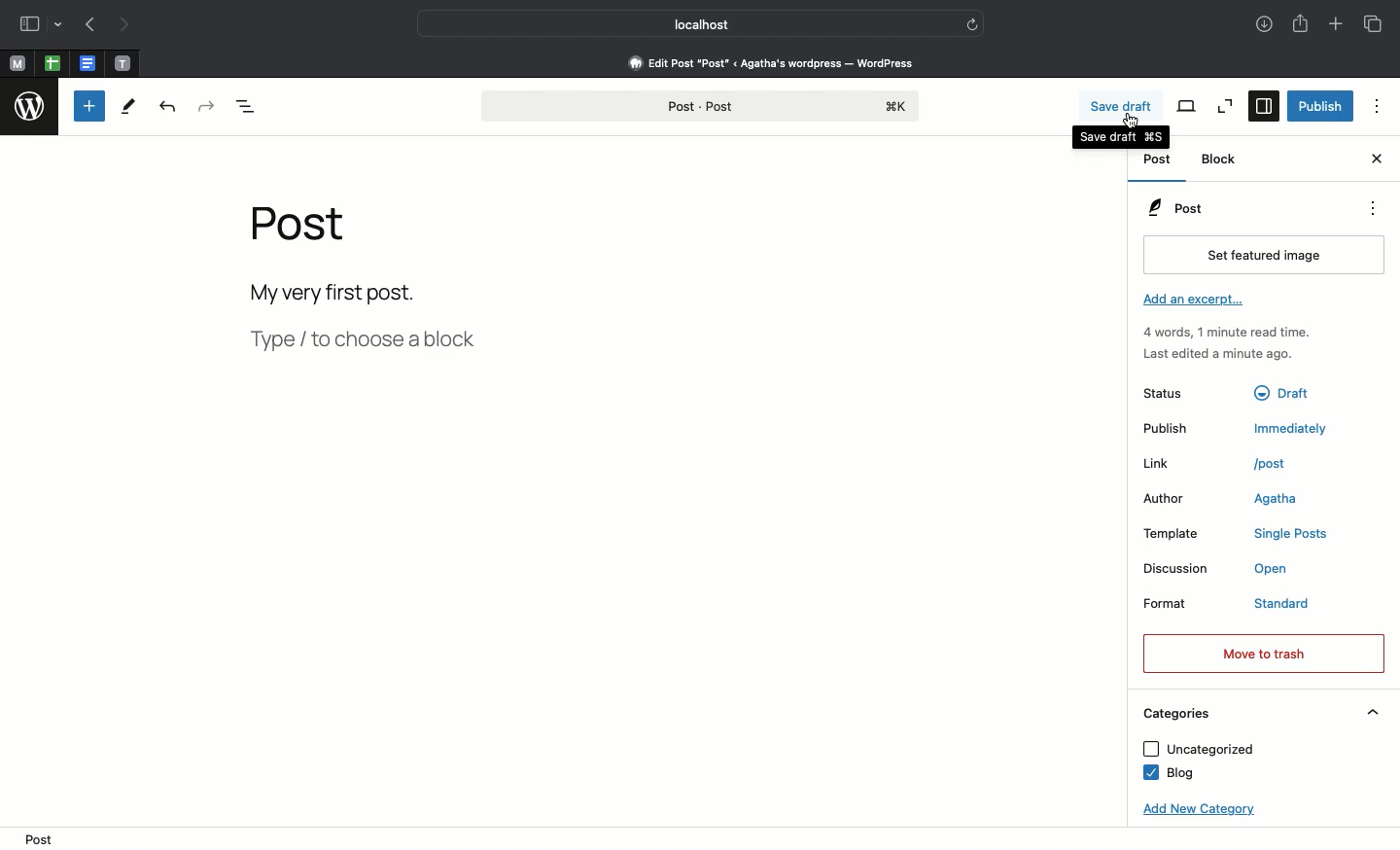  What do you see at coordinates (1173, 500) in the screenshot?
I see `Author` at bounding box center [1173, 500].